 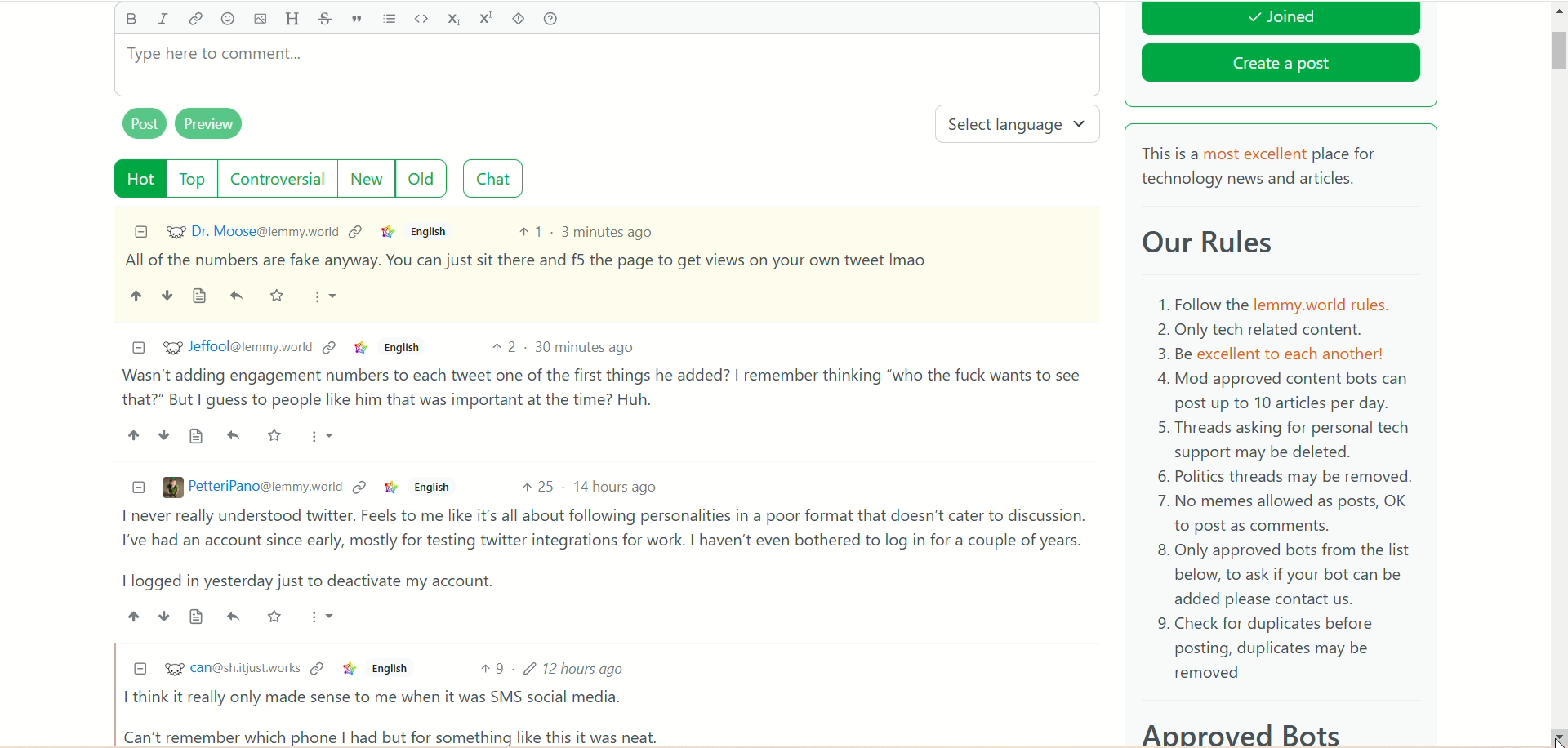 I want to click on Source, so click(x=198, y=616).